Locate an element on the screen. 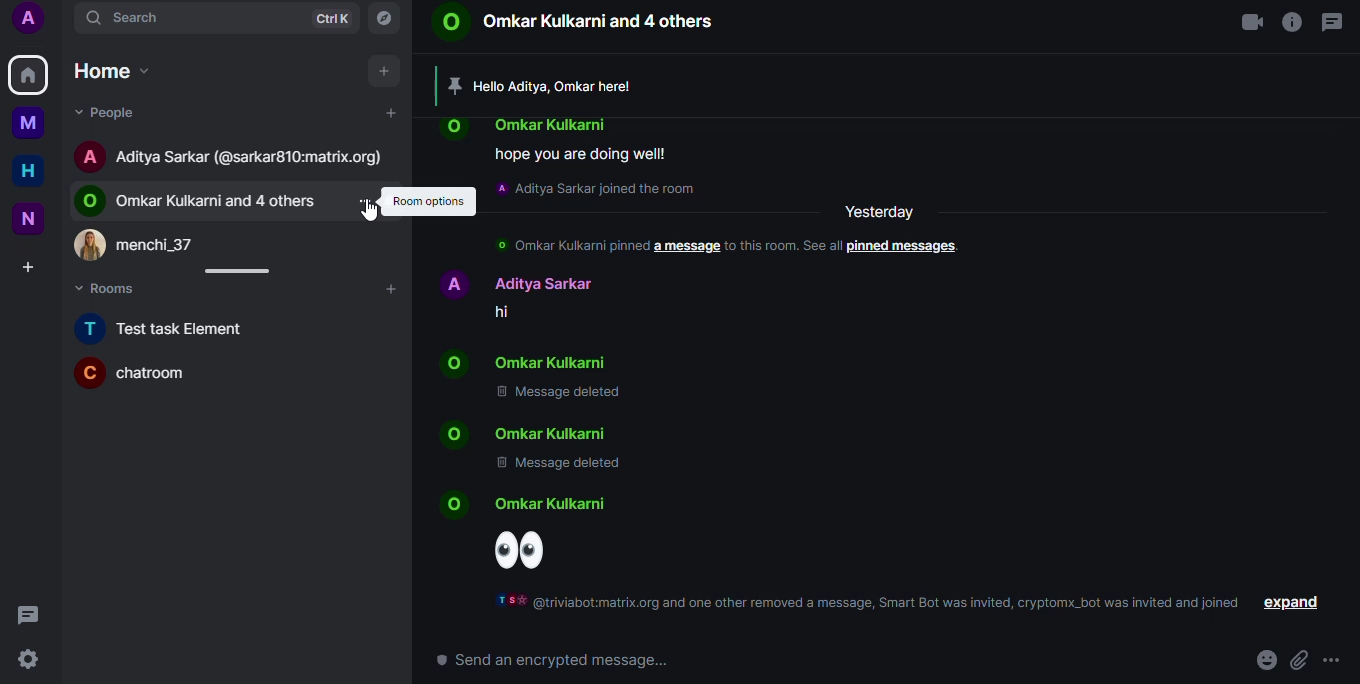  rooms is located at coordinates (118, 290).